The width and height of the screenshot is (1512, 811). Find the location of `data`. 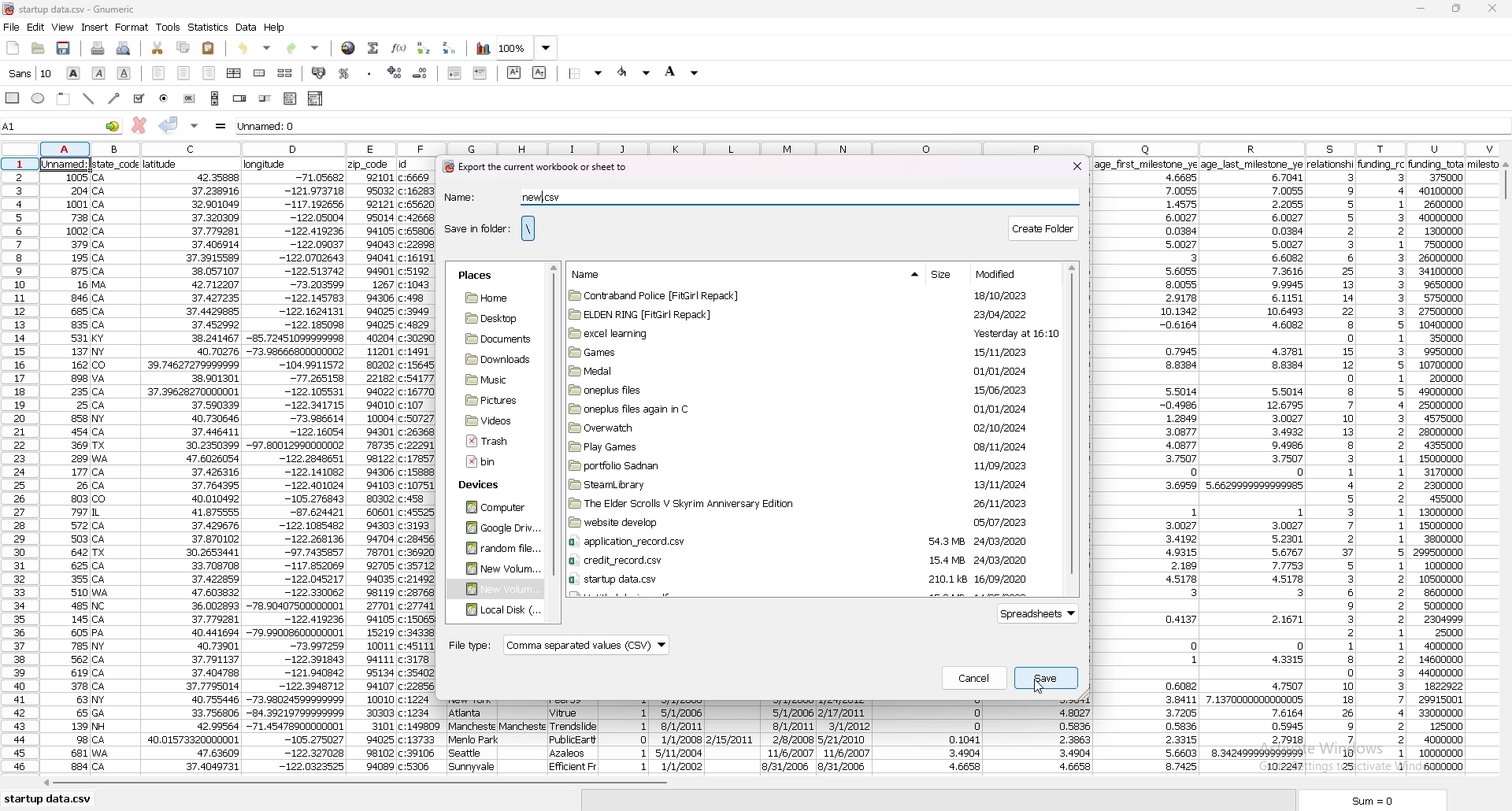

data is located at coordinates (571, 734).